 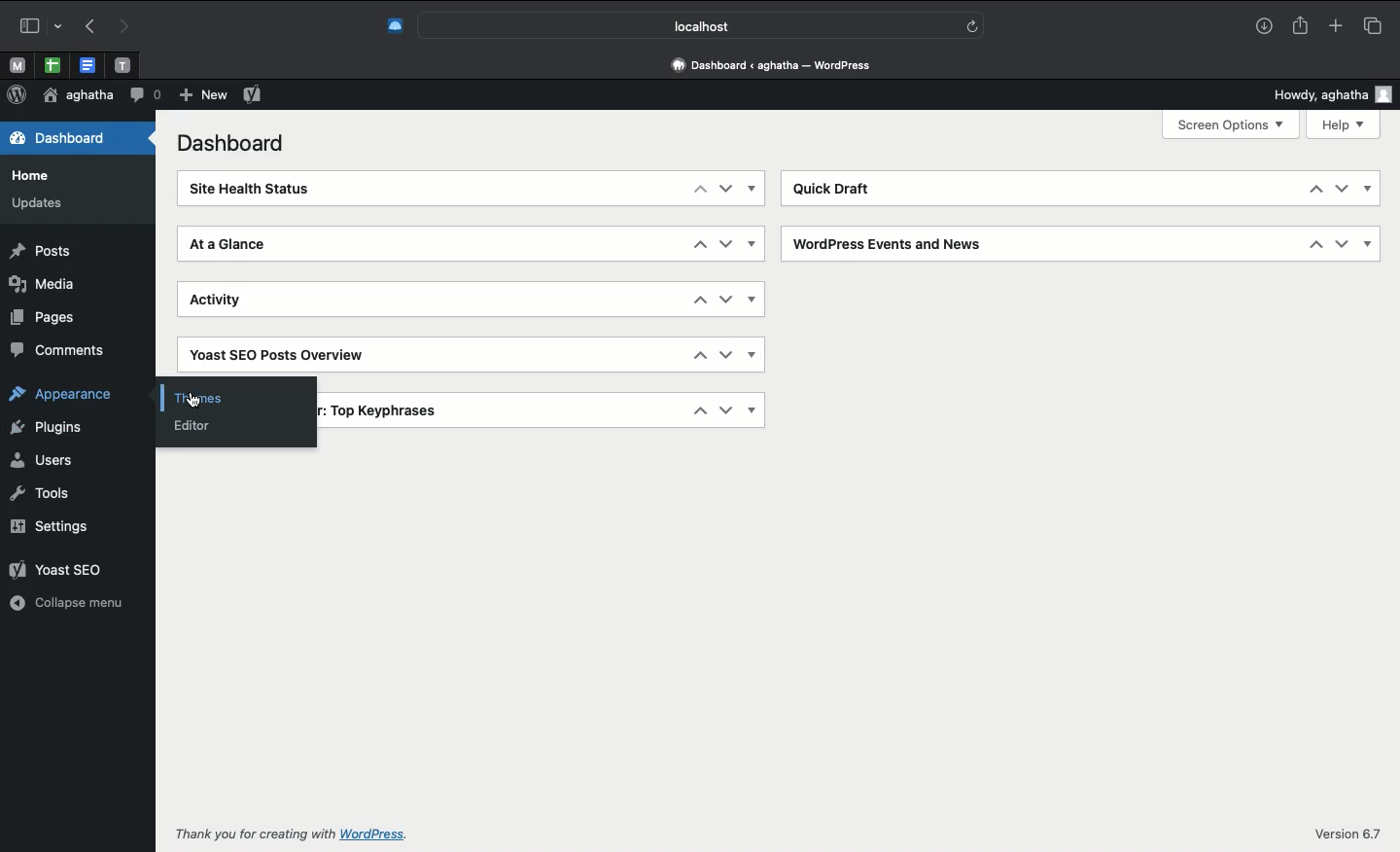 What do you see at coordinates (699, 410) in the screenshot?
I see `Up` at bounding box center [699, 410].